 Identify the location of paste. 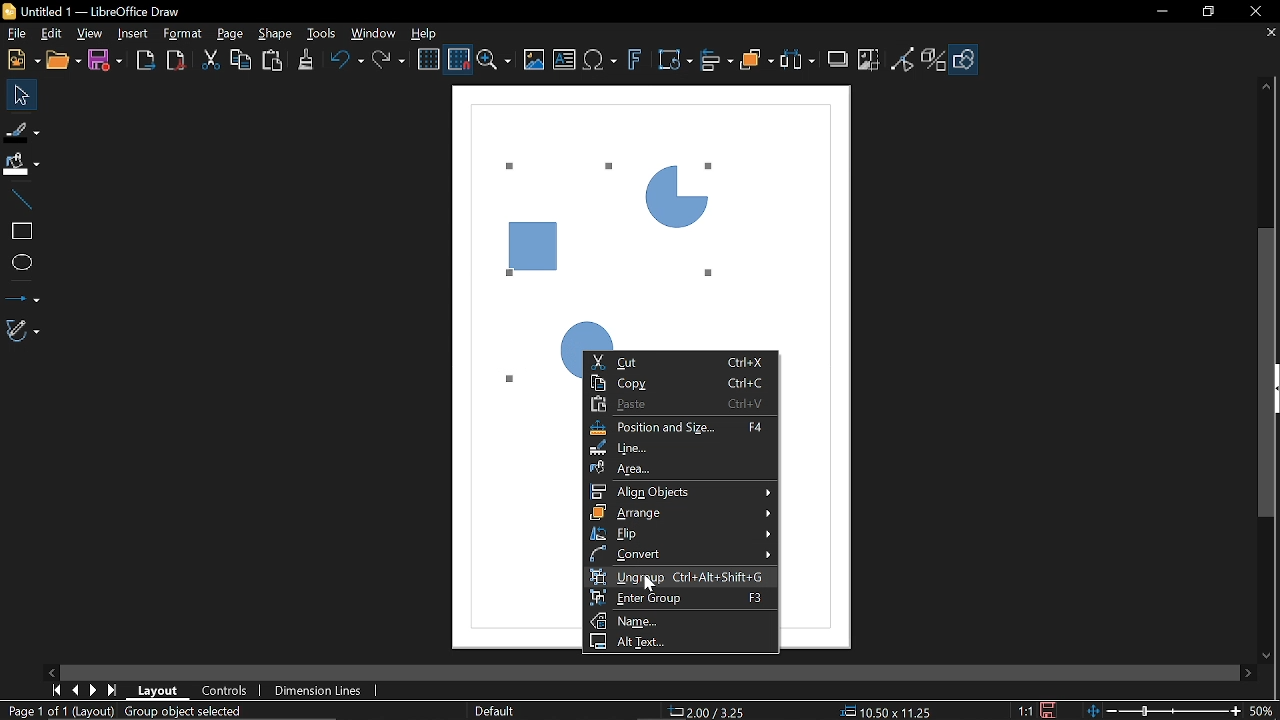
(683, 404).